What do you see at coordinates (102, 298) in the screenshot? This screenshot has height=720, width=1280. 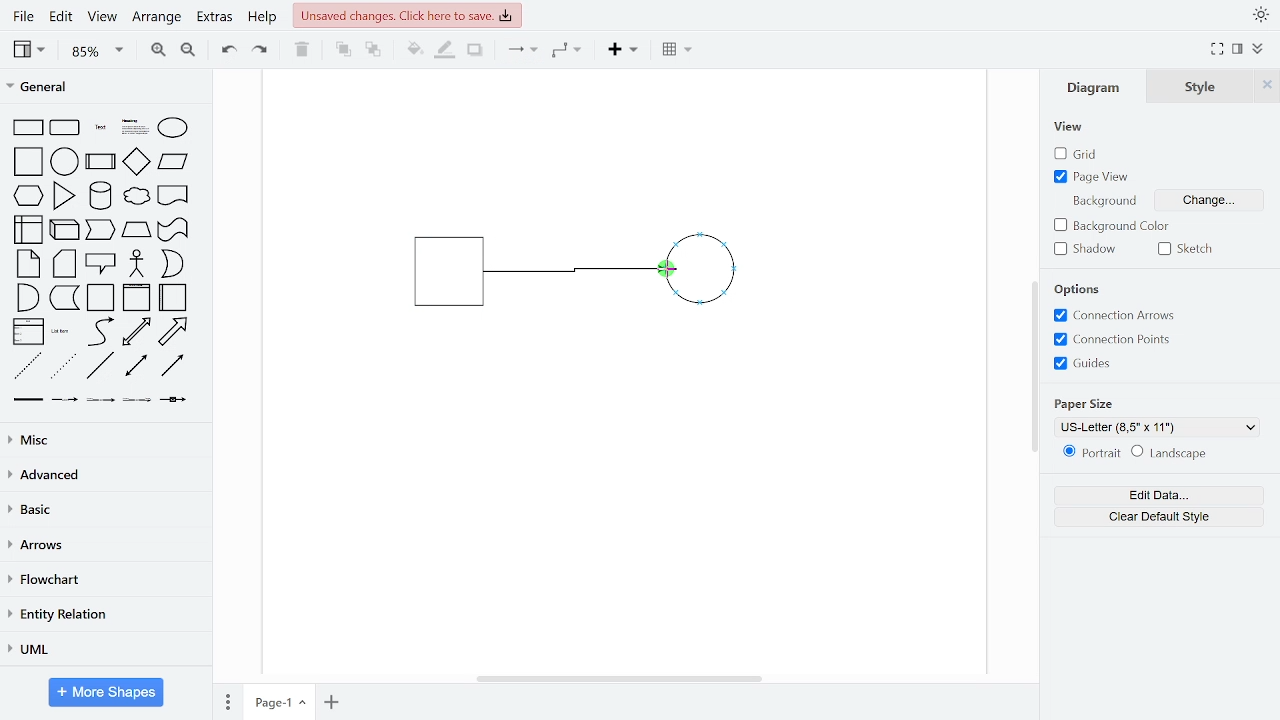 I see `container` at bounding box center [102, 298].